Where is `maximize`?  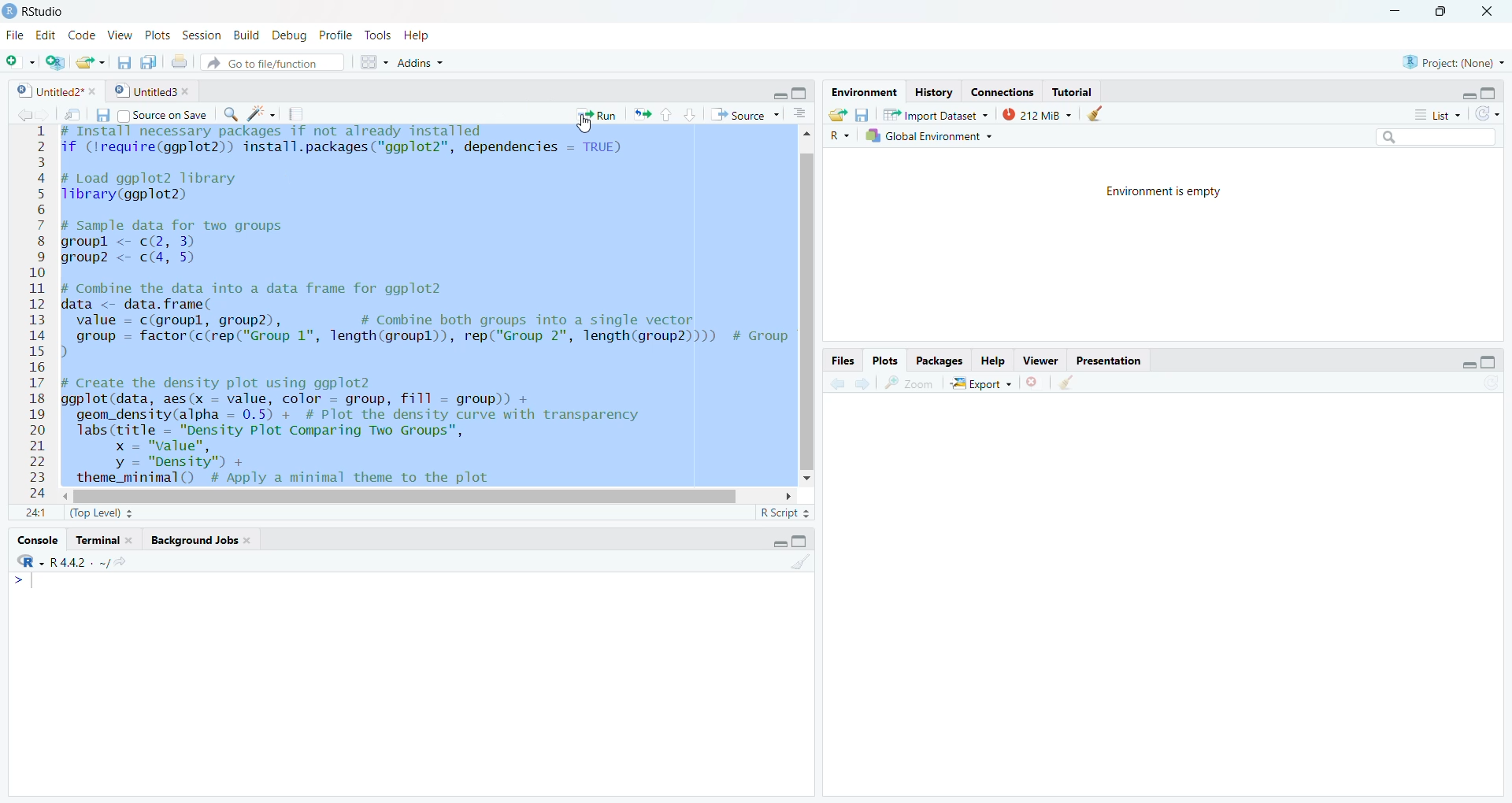
maximize is located at coordinates (1495, 94).